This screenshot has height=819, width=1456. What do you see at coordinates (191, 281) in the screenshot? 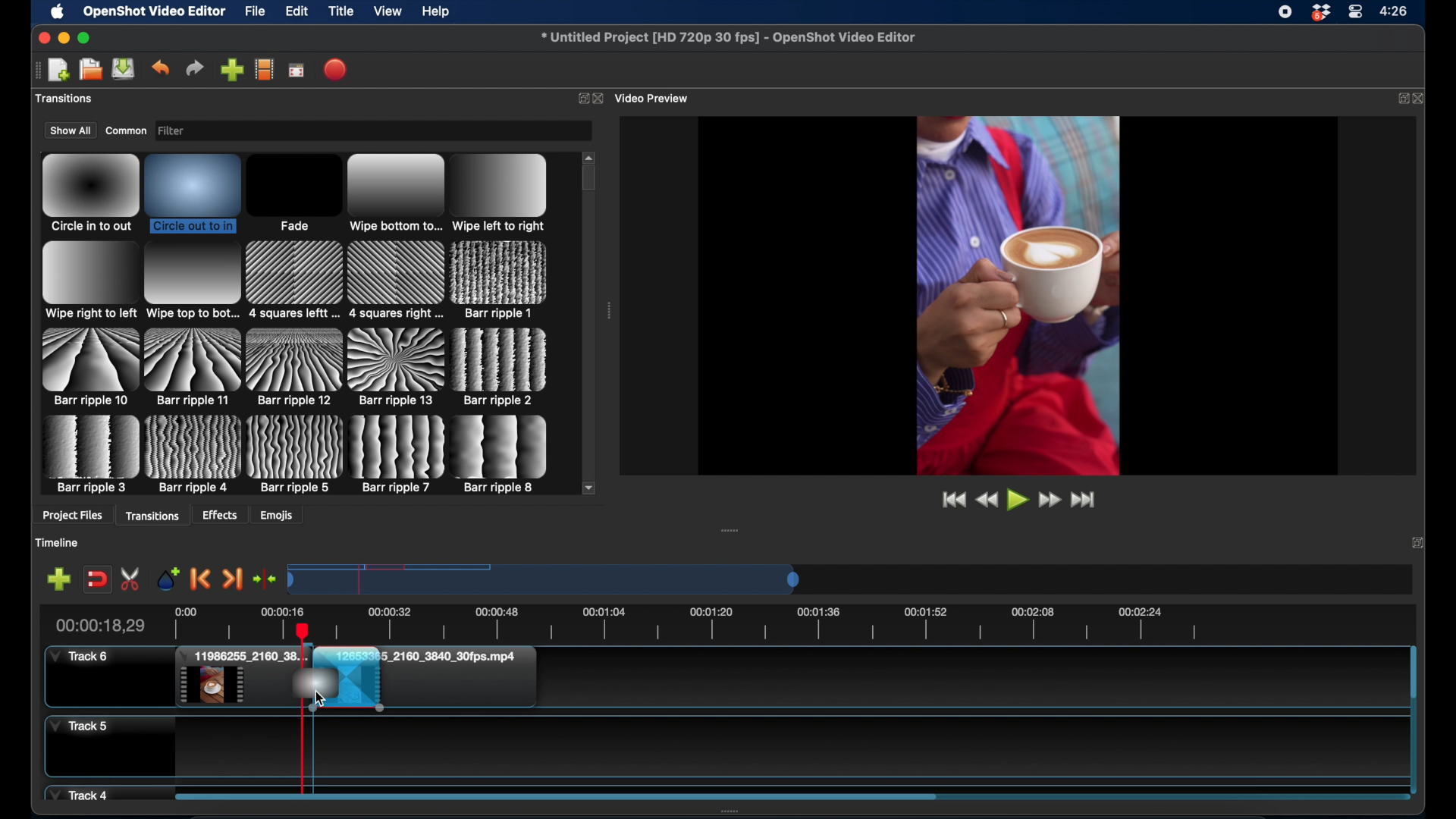
I see `transition` at bounding box center [191, 281].